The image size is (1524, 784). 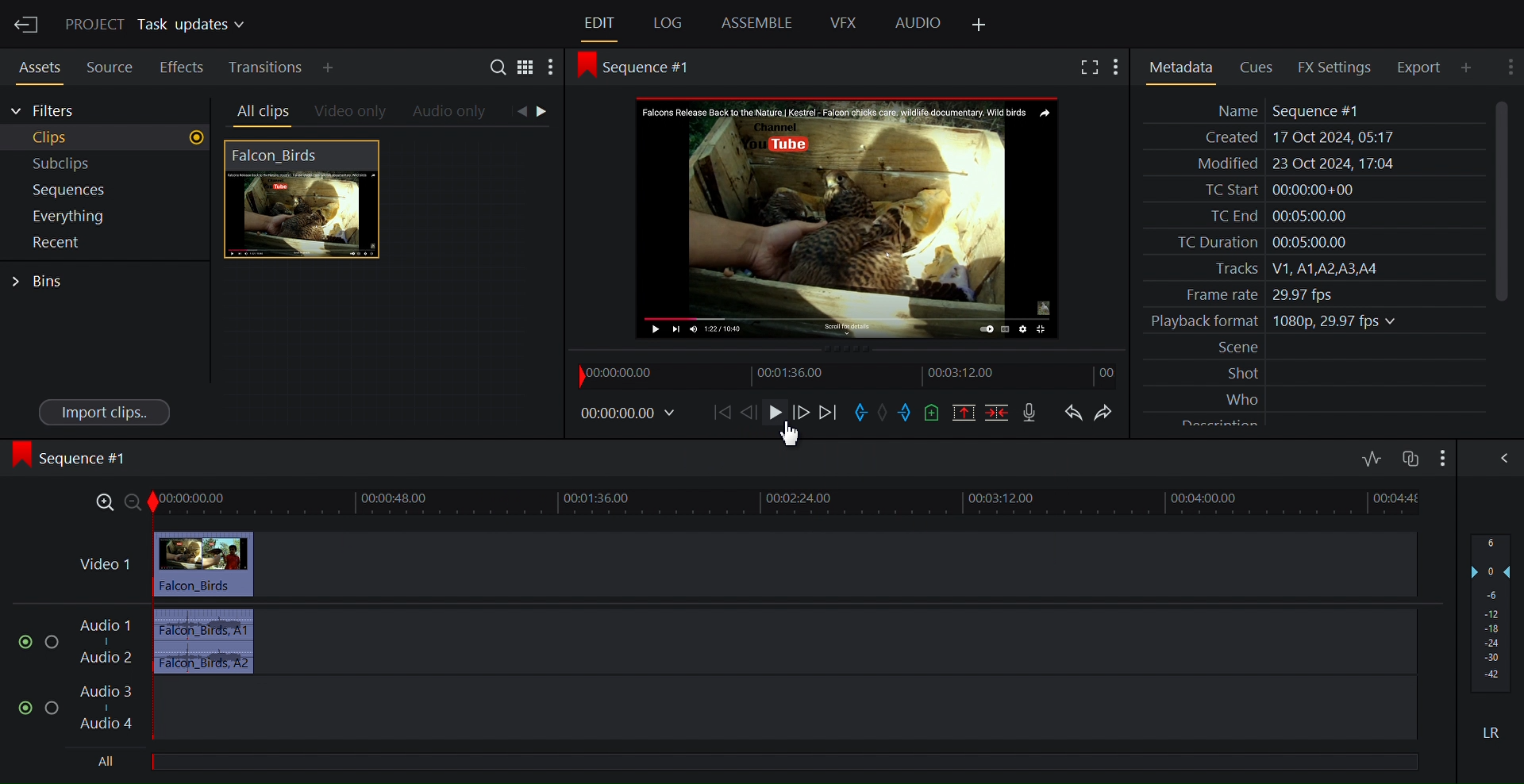 What do you see at coordinates (1441, 457) in the screenshot?
I see `Show/Hide audio full mix` at bounding box center [1441, 457].